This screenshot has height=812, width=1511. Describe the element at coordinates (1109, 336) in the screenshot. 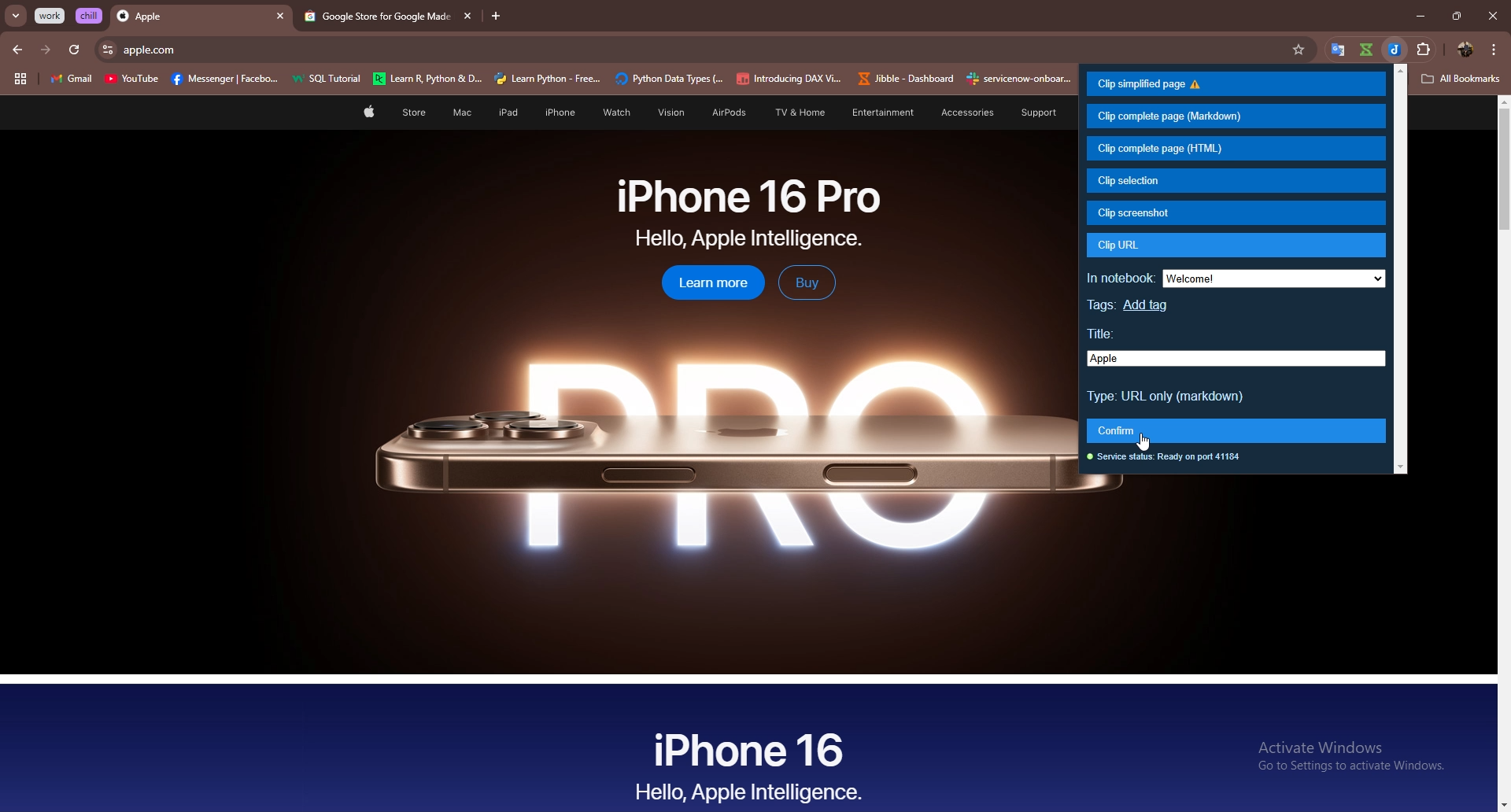

I see `title` at that location.